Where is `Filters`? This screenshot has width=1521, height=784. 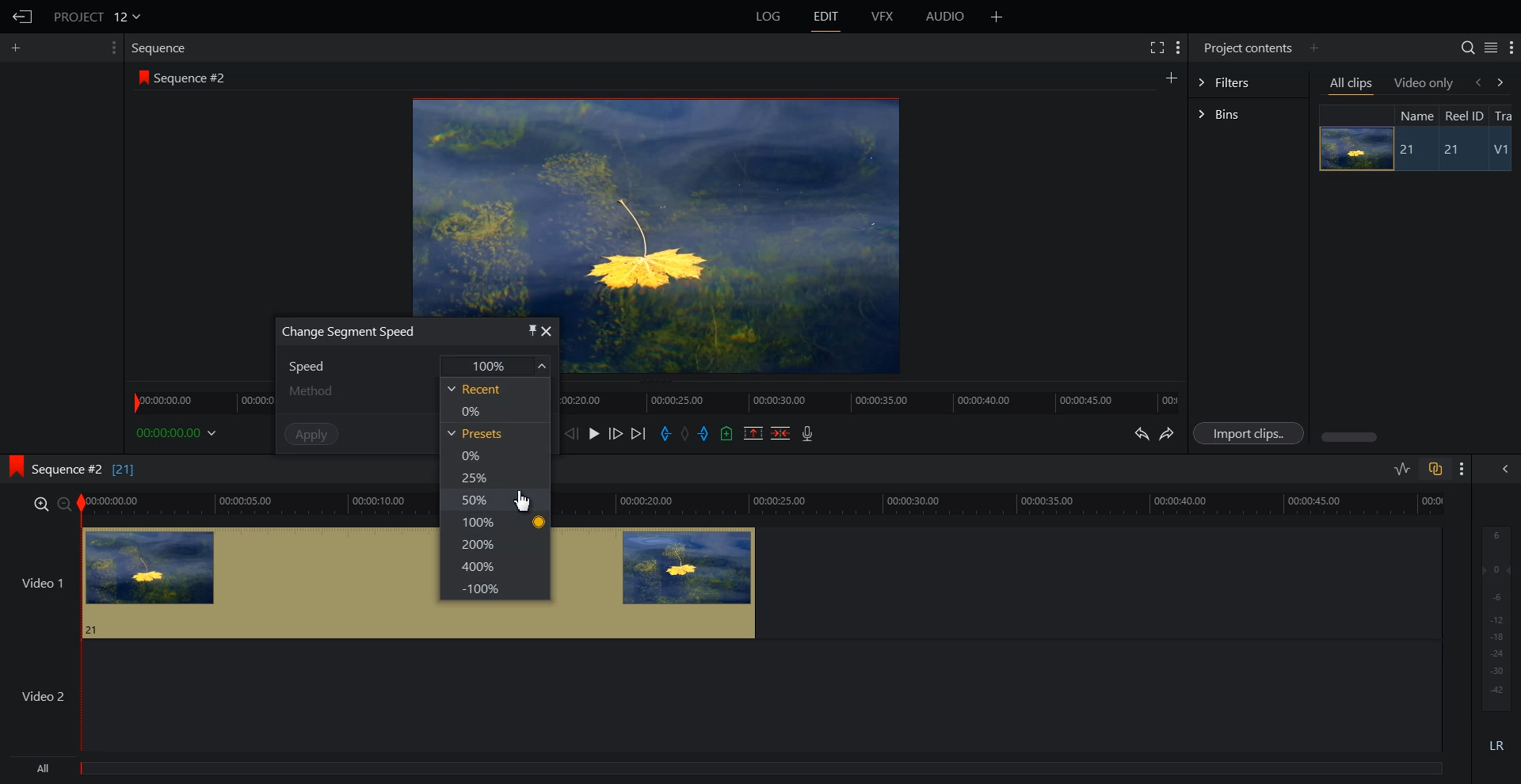 Filters is located at coordinates (1248, 81).